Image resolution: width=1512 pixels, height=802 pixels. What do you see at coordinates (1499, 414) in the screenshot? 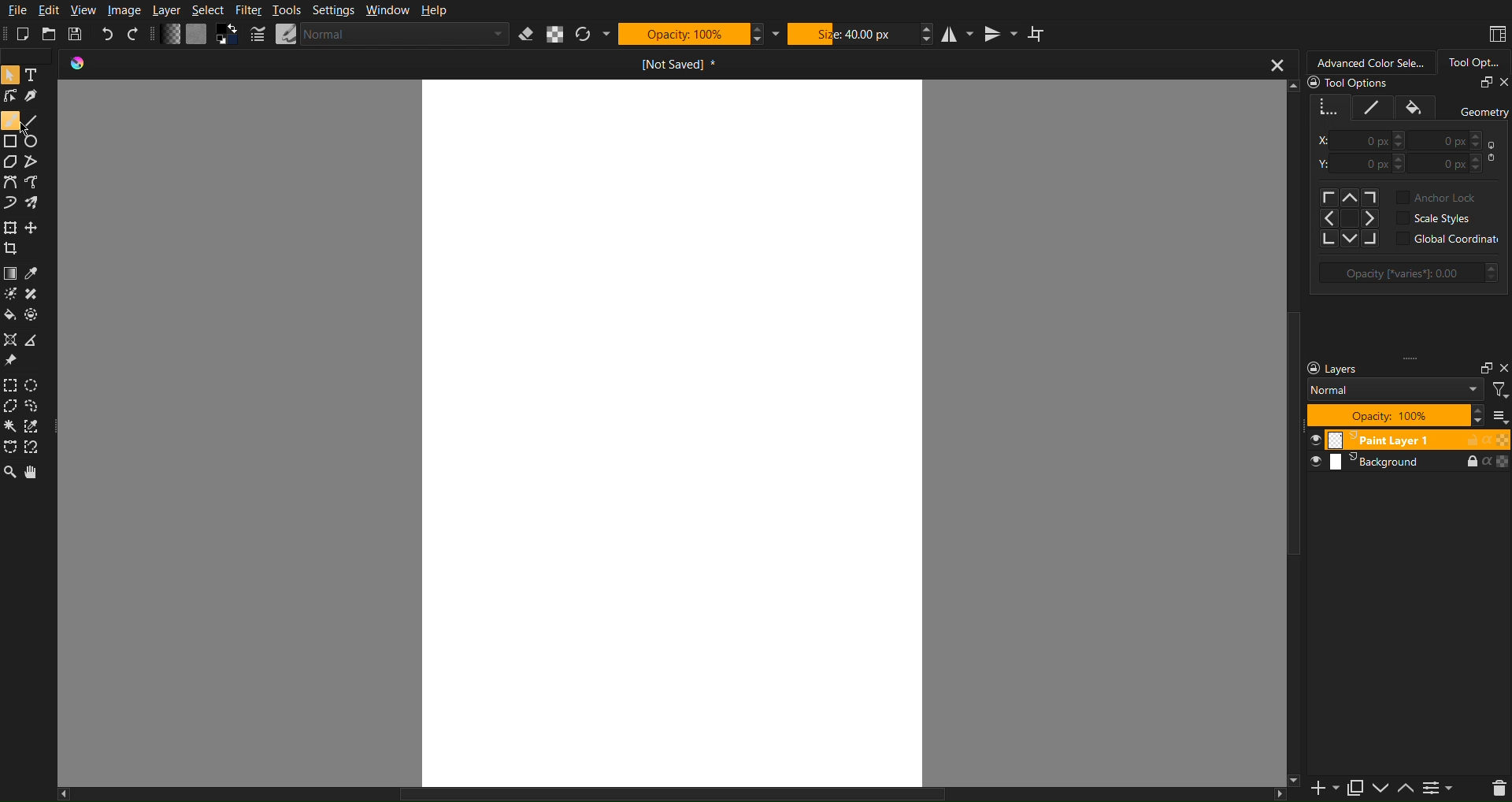
I see `All Layers` at bounding box center [1499, 414].